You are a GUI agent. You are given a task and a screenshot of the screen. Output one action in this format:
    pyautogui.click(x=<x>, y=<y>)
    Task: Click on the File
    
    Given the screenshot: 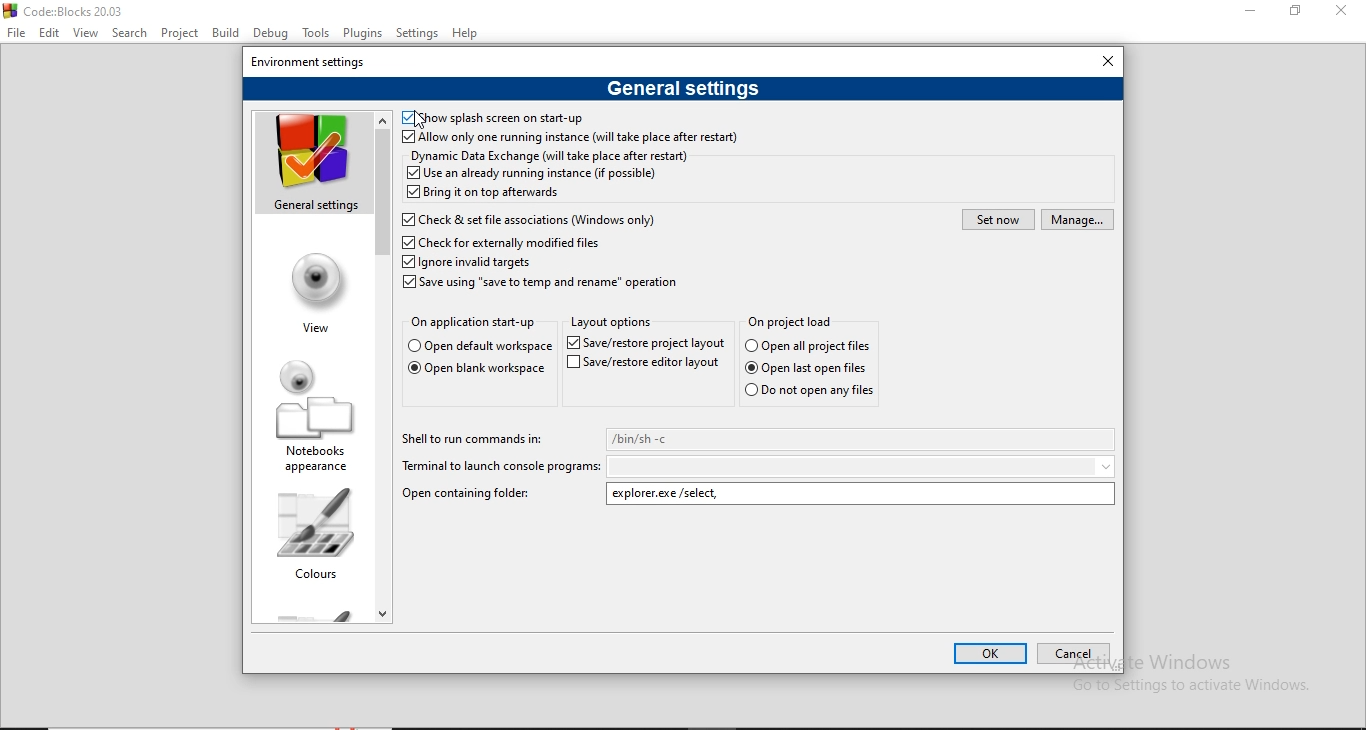 What is the action you would take?
    pyautogui.click(x=17, y=32)
    